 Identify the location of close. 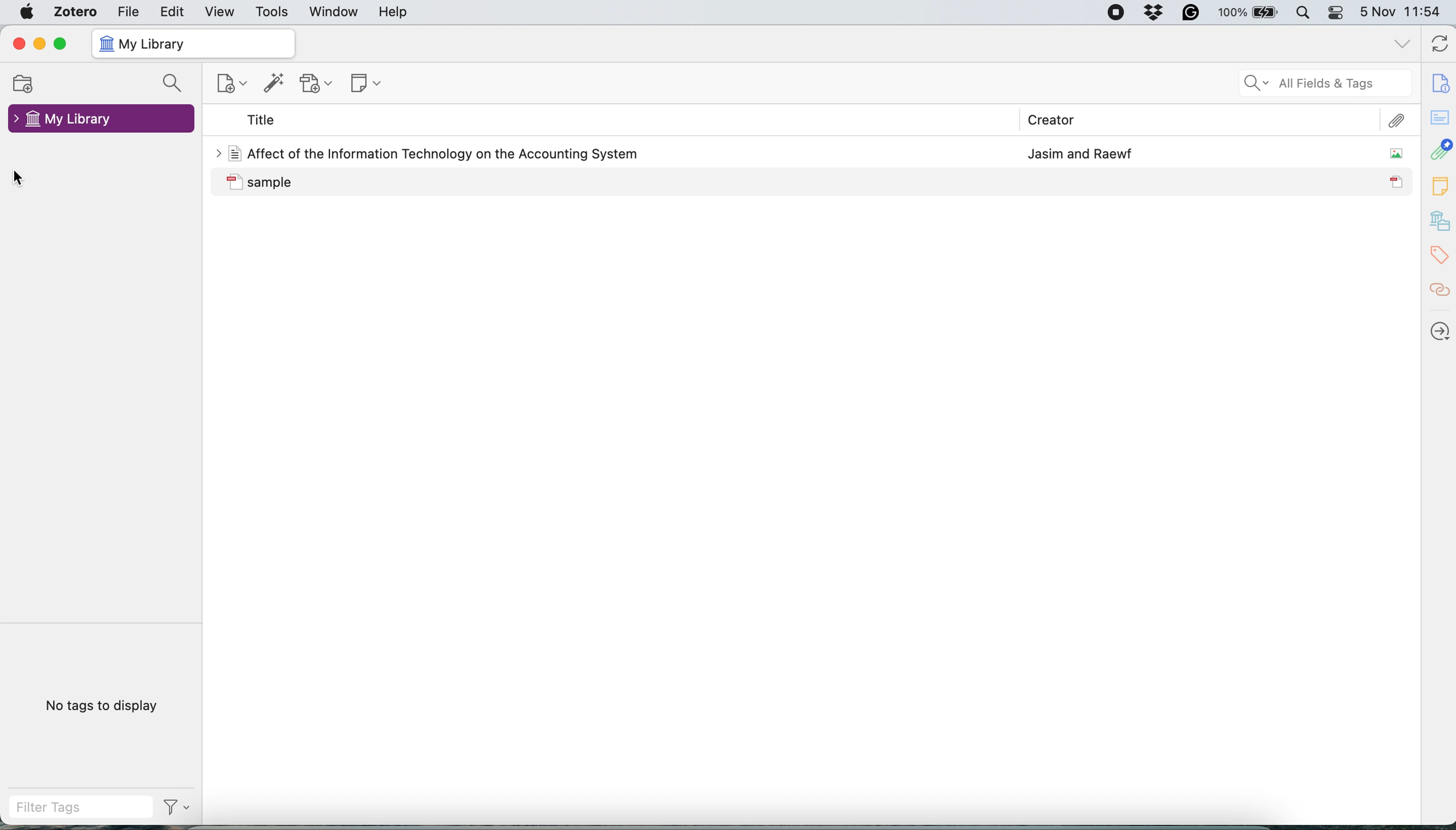
(16, 45).